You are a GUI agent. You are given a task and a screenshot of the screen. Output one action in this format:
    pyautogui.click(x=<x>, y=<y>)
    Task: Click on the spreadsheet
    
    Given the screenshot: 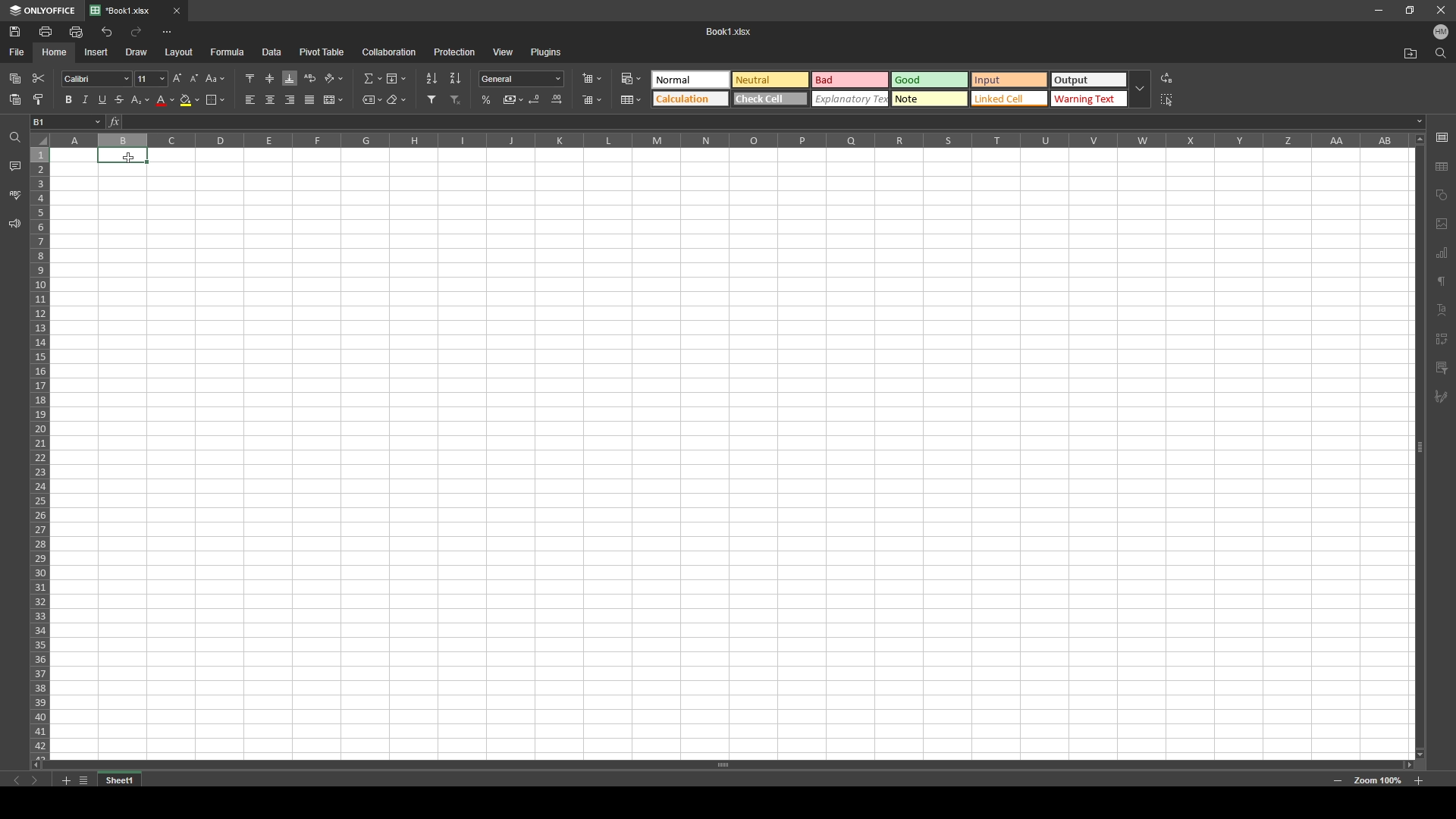 What is the action you would take?
    pyautogui.click(x=731, y=453)
    